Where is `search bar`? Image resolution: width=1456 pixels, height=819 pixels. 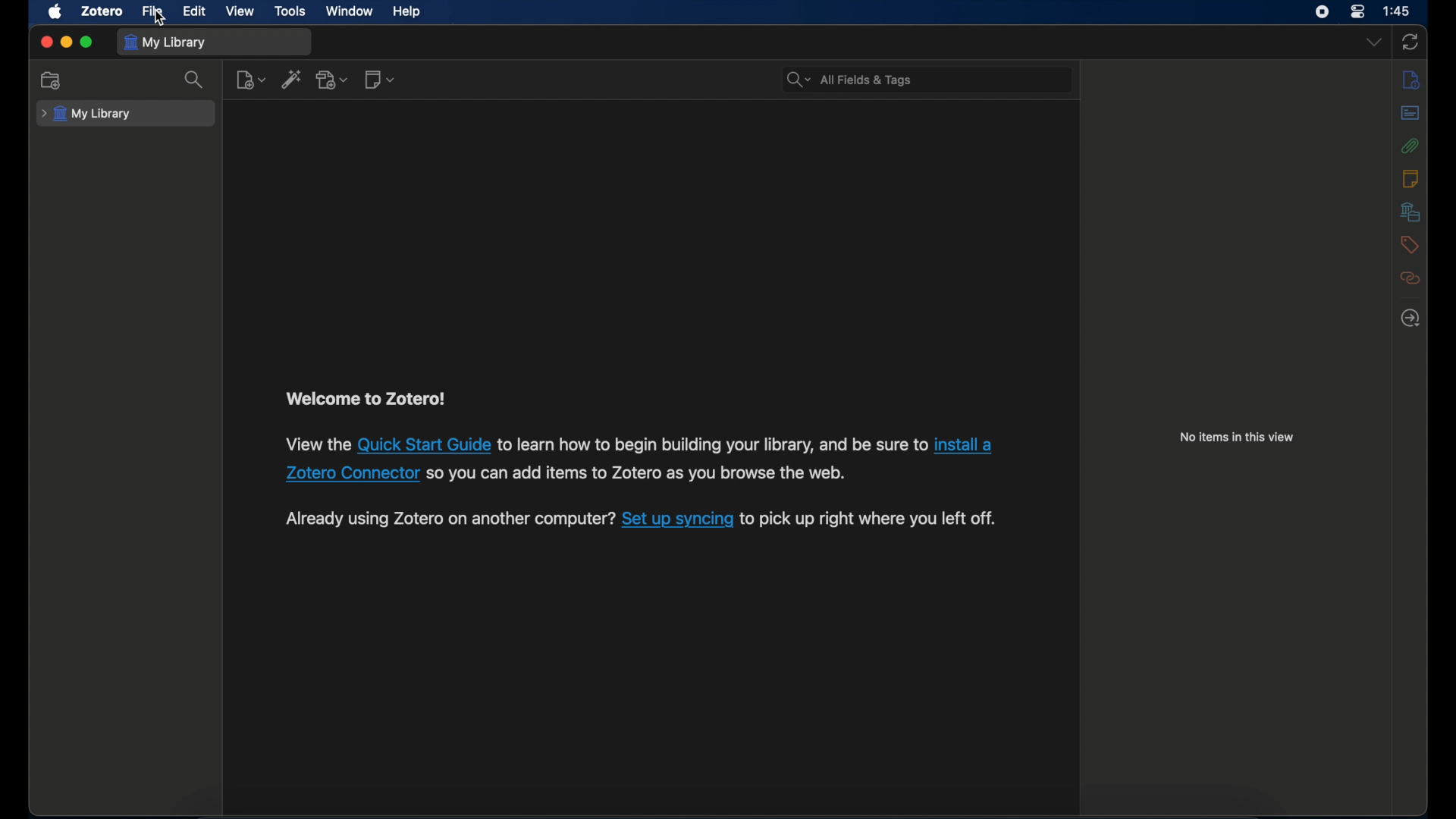
search bar is located at coordinates (849, 80).